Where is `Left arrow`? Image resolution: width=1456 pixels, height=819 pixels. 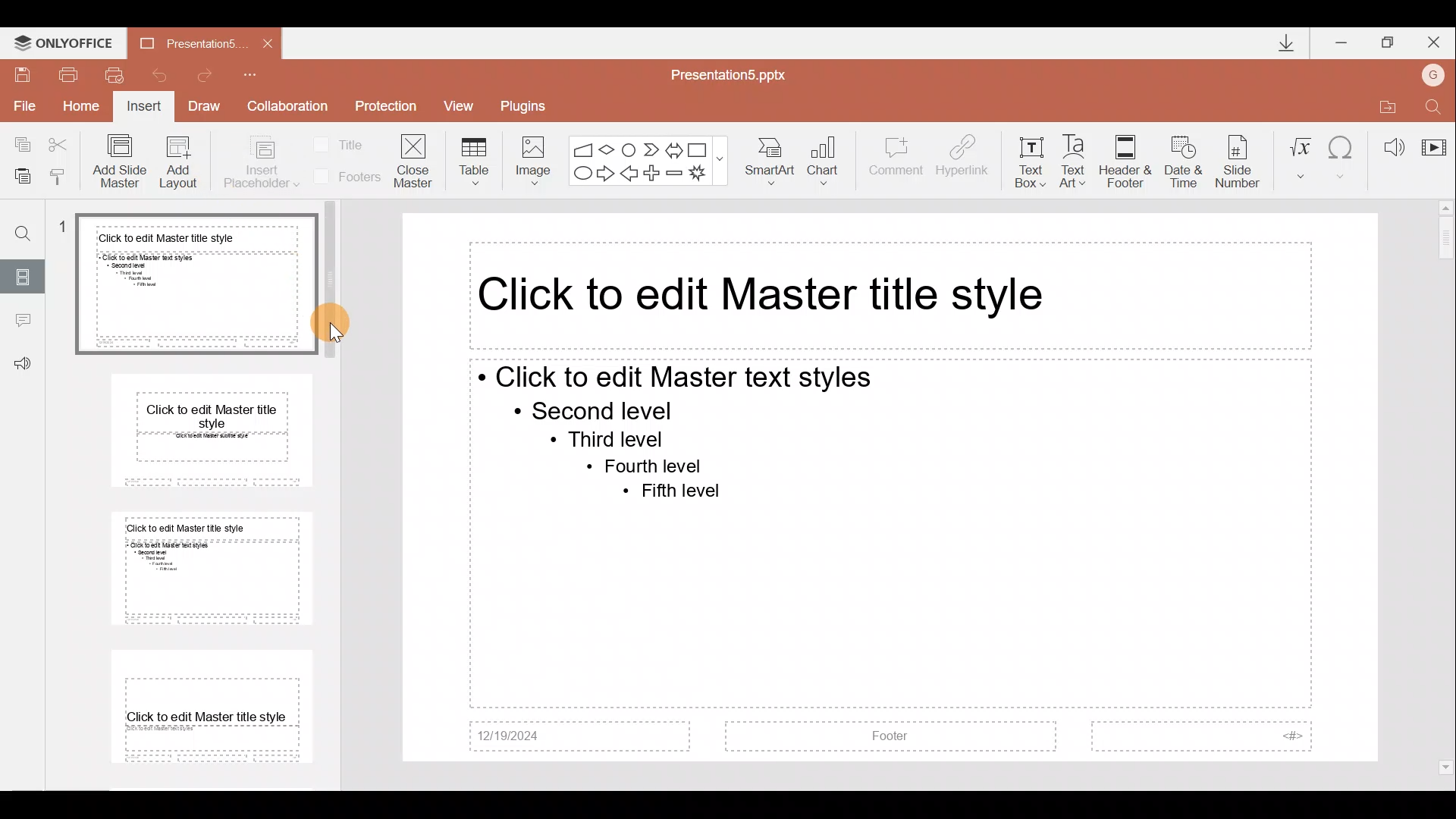 Left arrow is located at coordinates (630, 174).